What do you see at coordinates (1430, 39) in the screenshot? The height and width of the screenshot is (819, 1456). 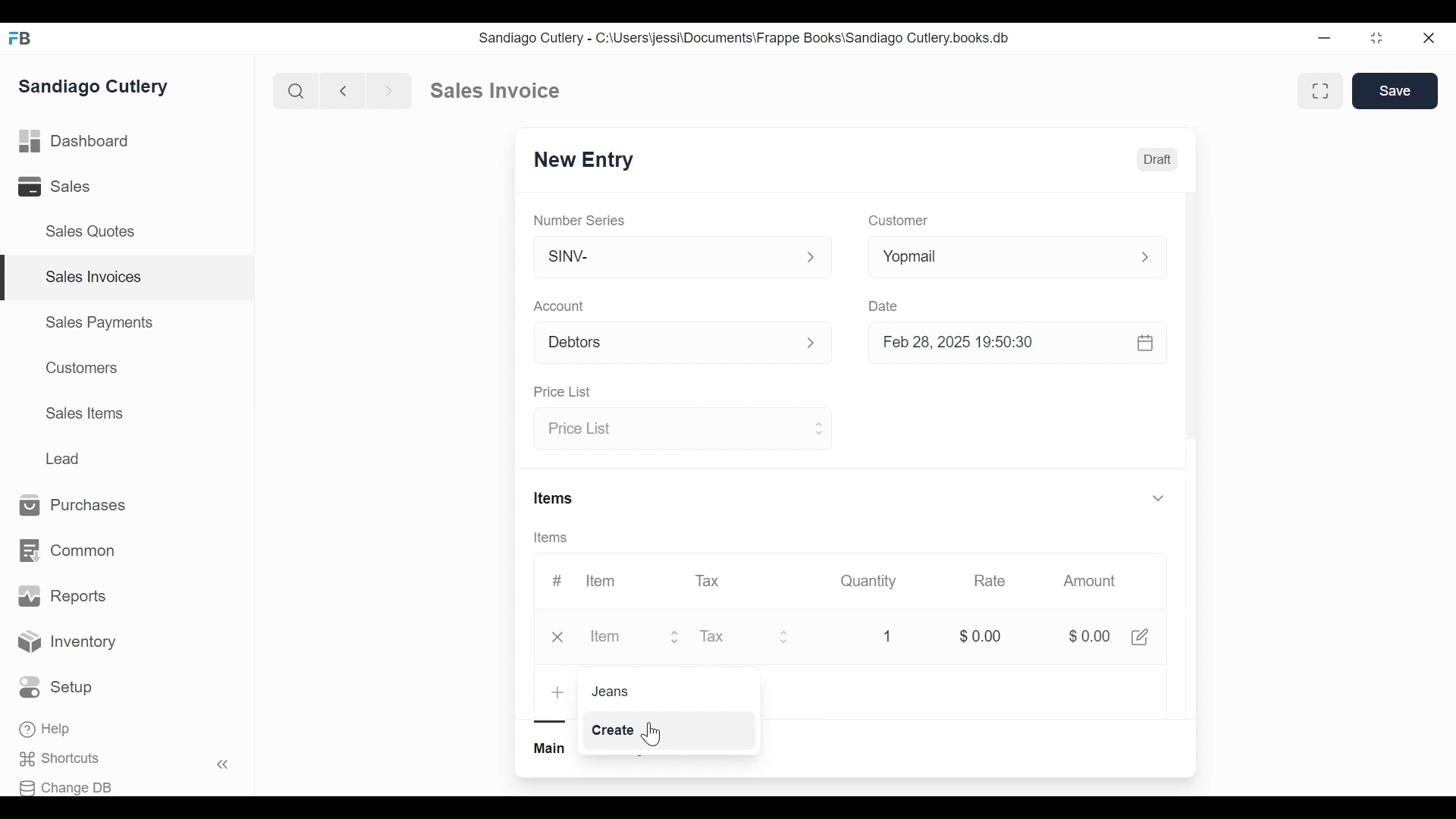 I see `close` at bounding box center [1430, 39].